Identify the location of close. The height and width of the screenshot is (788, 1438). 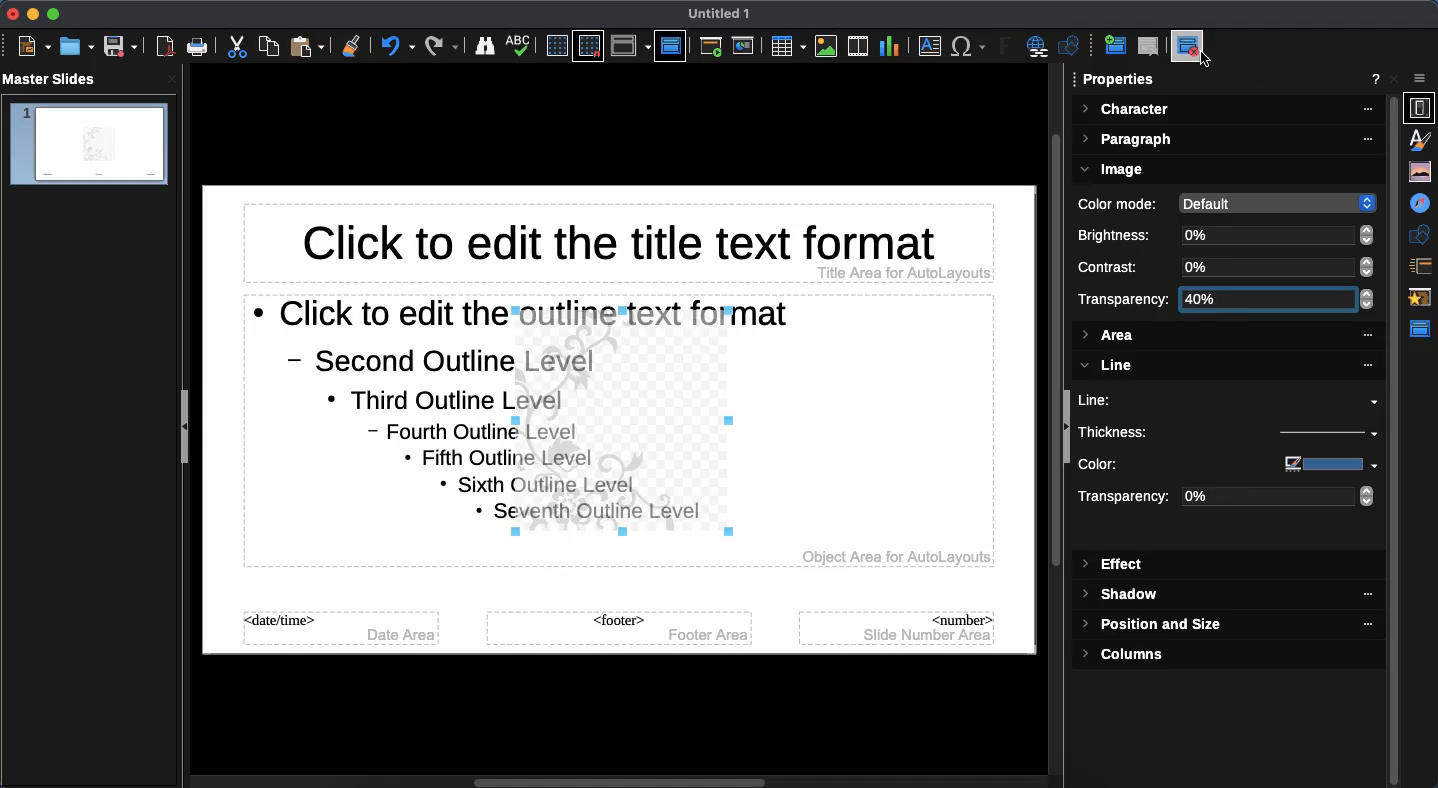
(172, 79).